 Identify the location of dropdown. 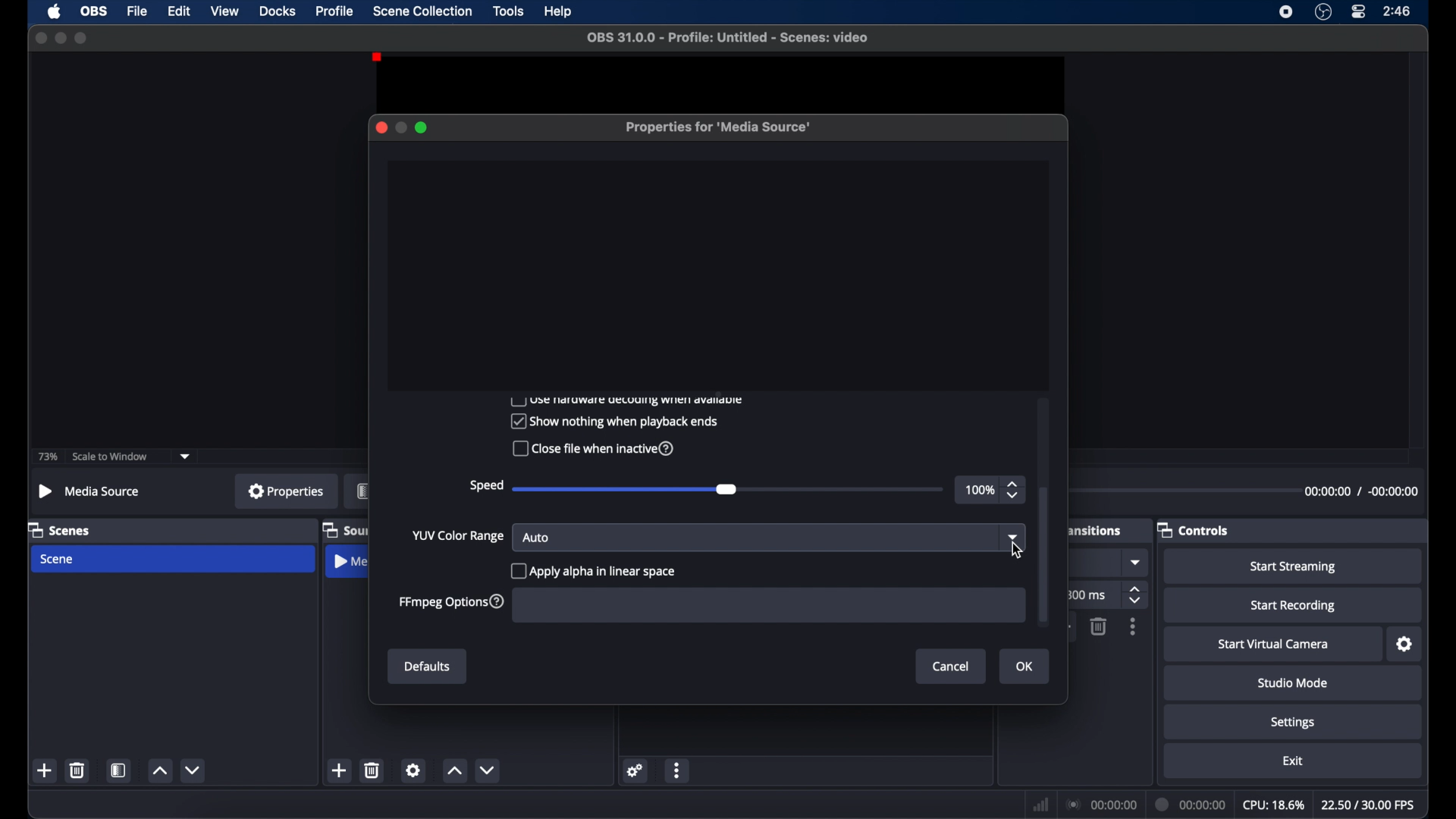
(1011, 536).